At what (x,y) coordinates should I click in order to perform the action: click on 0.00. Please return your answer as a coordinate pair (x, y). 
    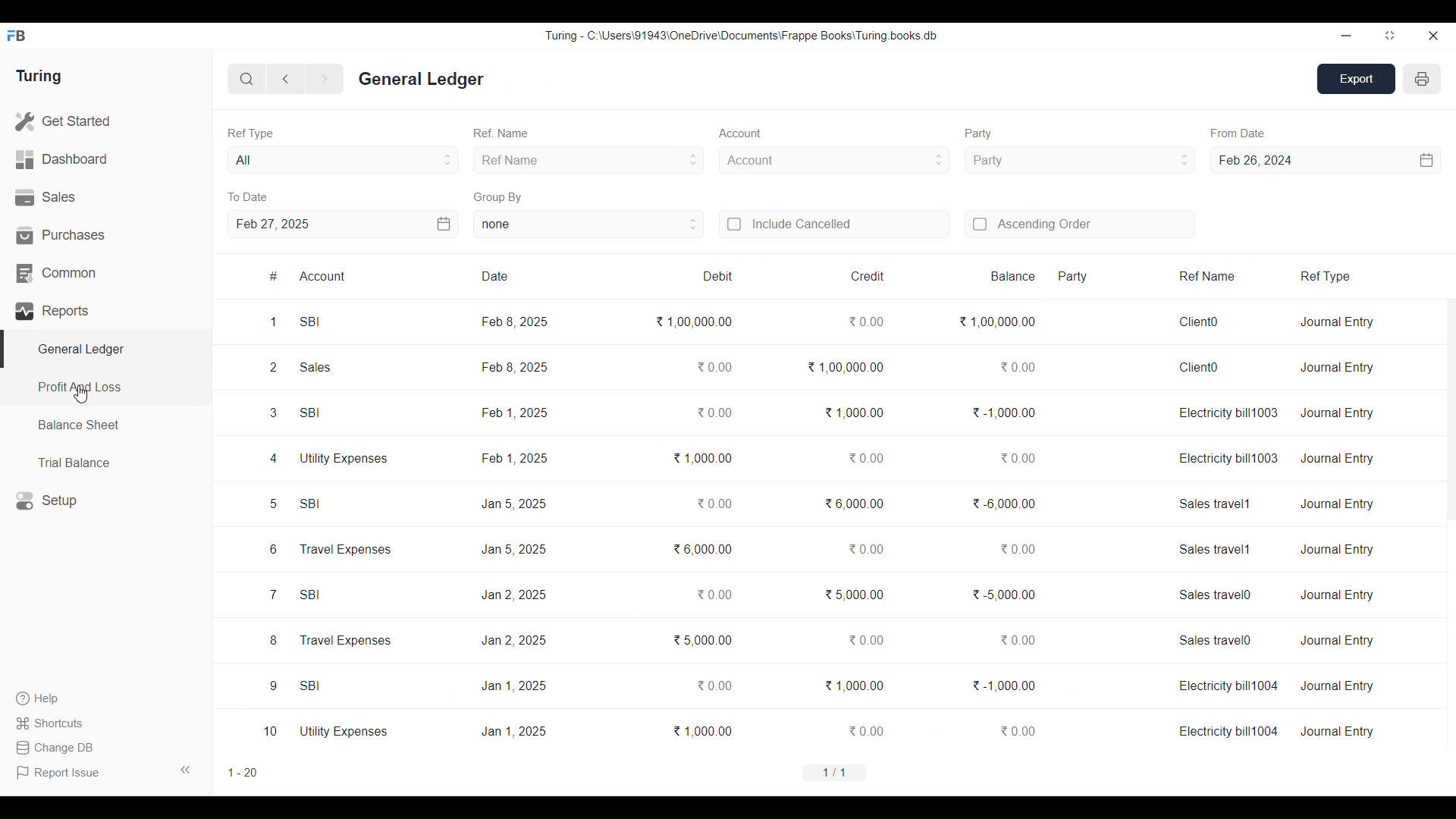
    Looking at the image, I should click on (714, 413).